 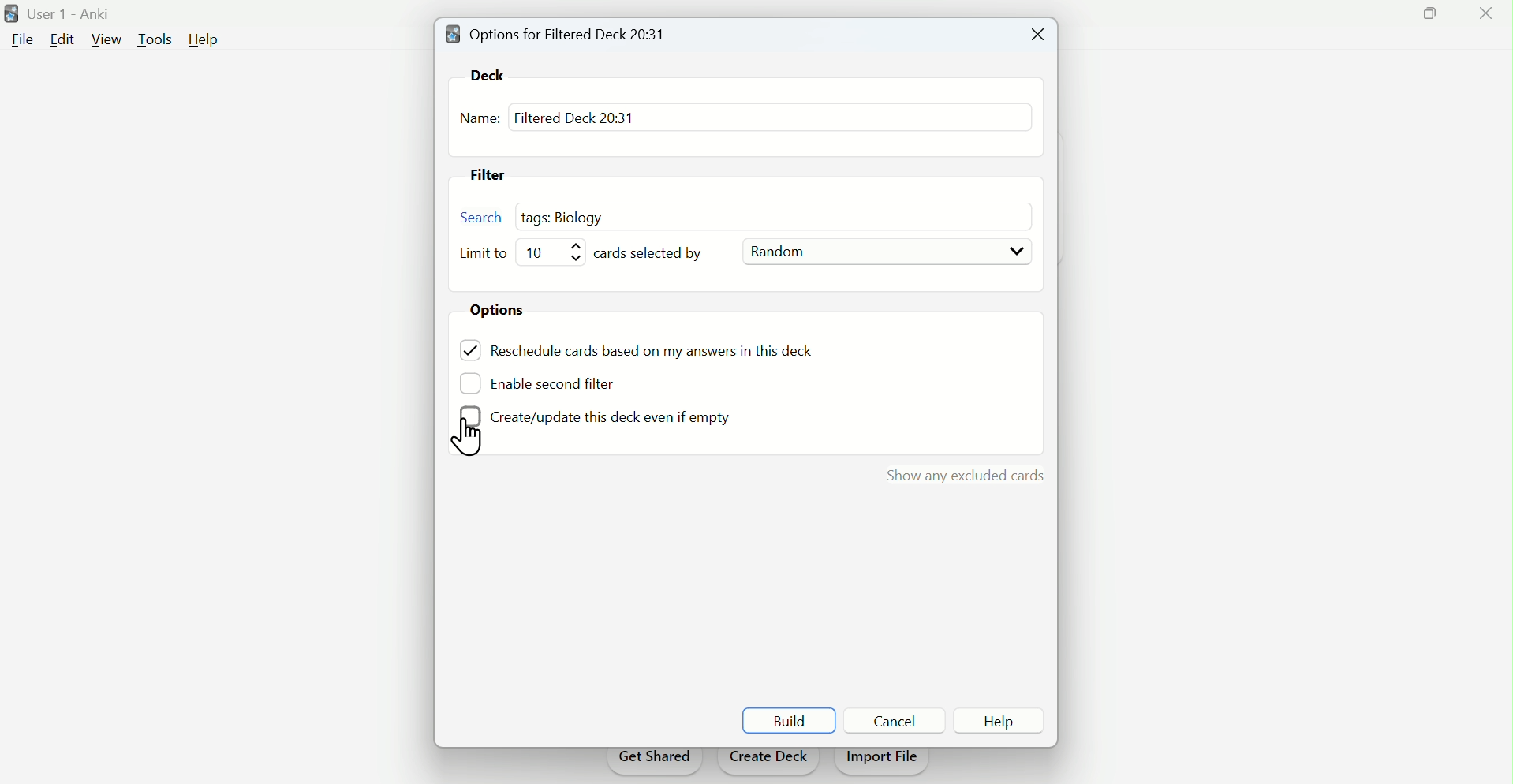 What do you see at coordinates (962, 476) in the screenshot?
I see `show my excluded cards` at bounding box center [962, 476].